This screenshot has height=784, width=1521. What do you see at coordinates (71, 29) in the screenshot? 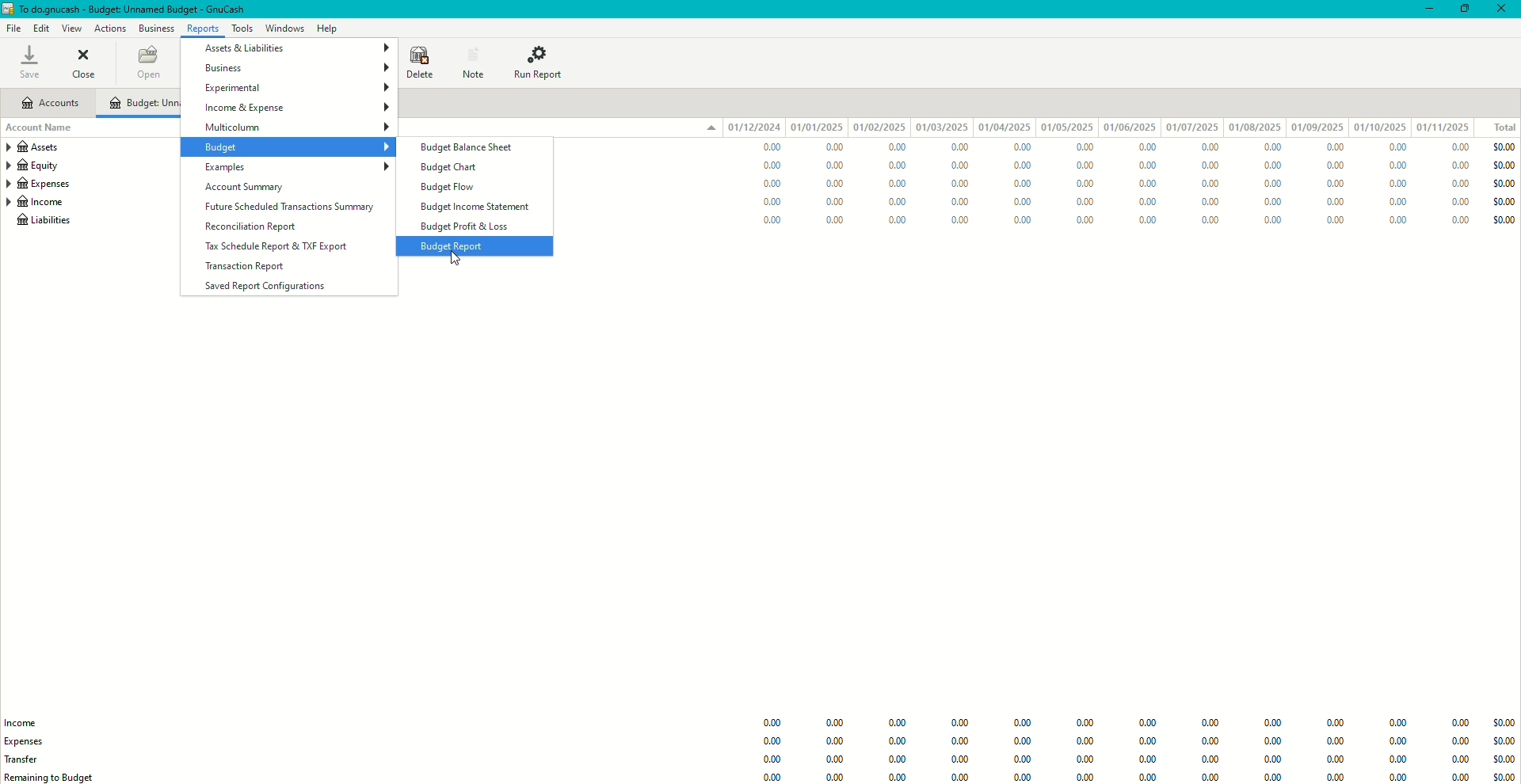
I see `View` at bounding box center [71, 29].